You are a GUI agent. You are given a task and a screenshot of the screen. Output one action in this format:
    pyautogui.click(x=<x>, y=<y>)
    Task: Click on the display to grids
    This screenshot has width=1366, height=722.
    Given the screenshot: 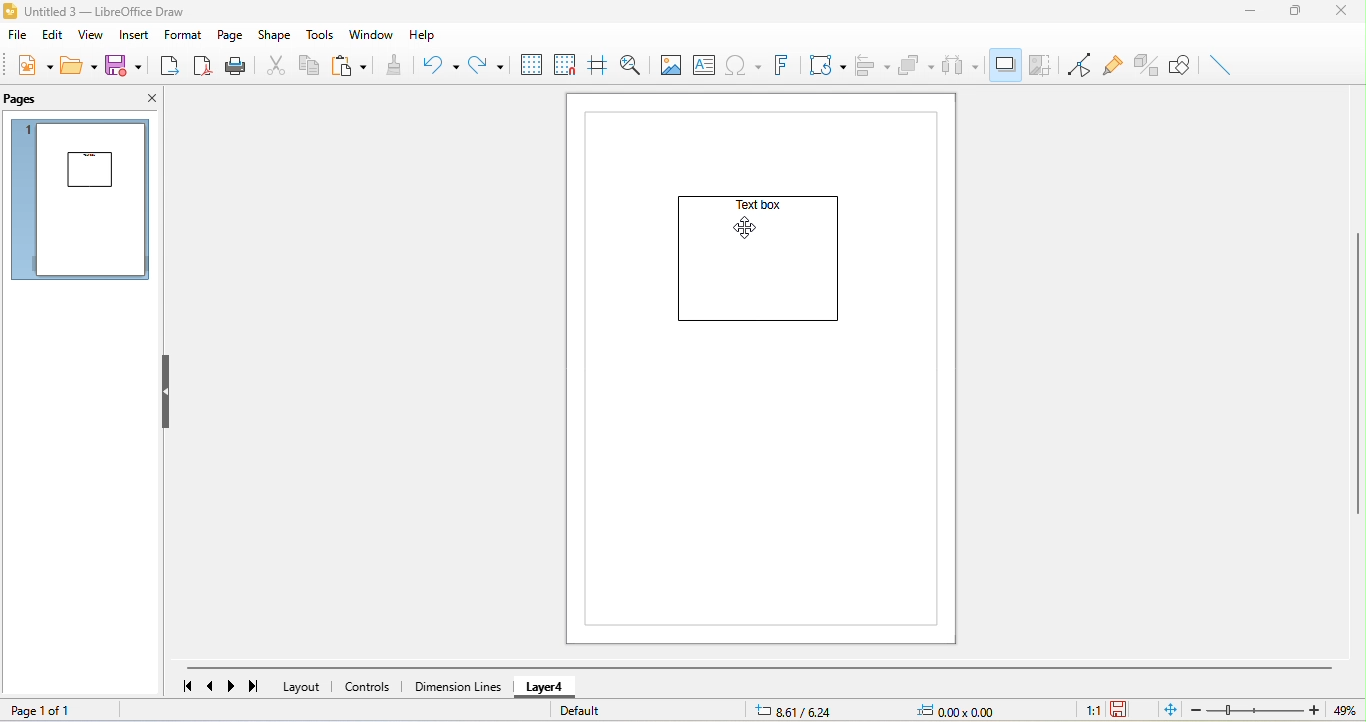 What is the action you would take?
    pyautogui.click(x=532, y=63)
    